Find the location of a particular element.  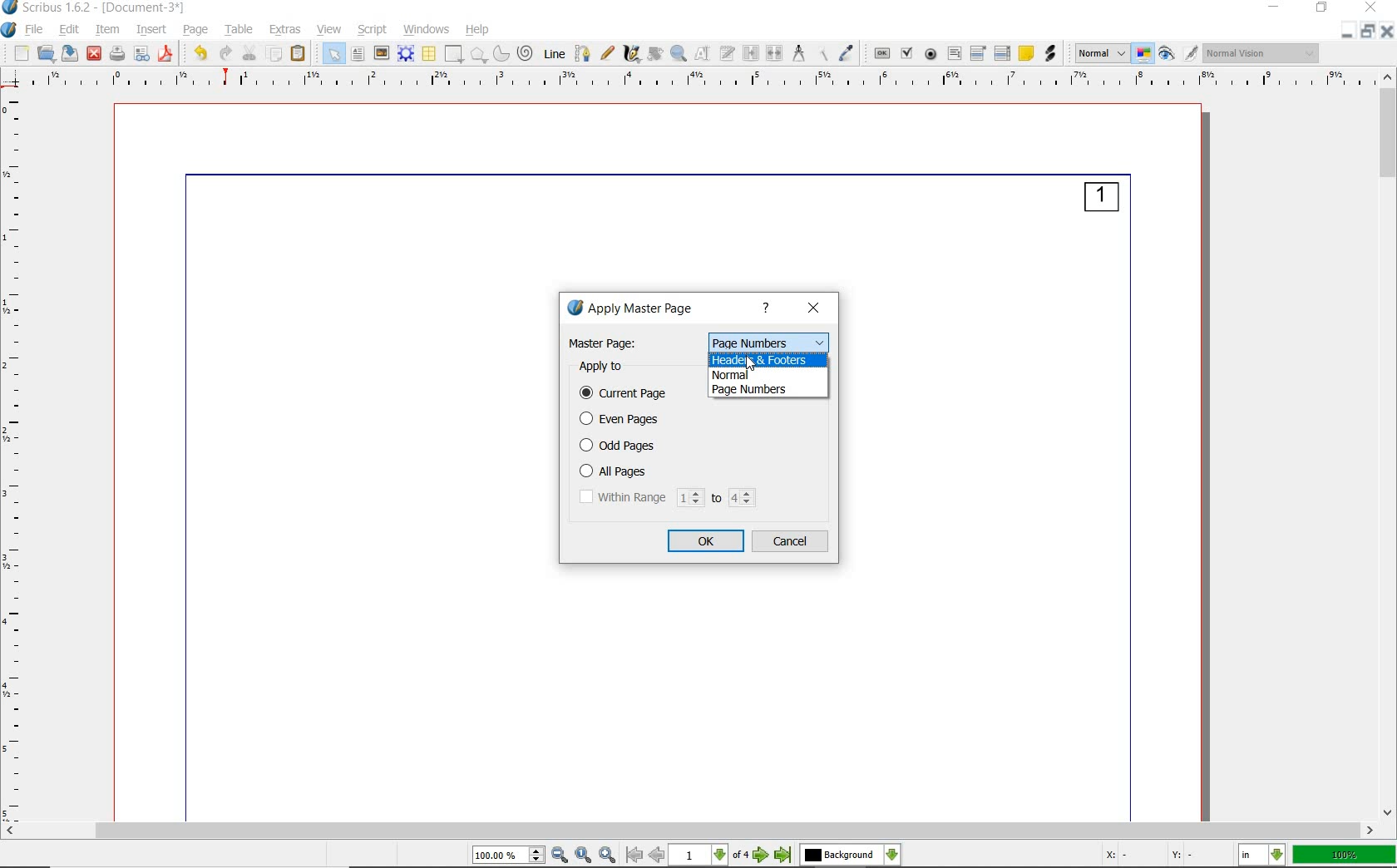

pdf text field is located at coordinates (953, 52).